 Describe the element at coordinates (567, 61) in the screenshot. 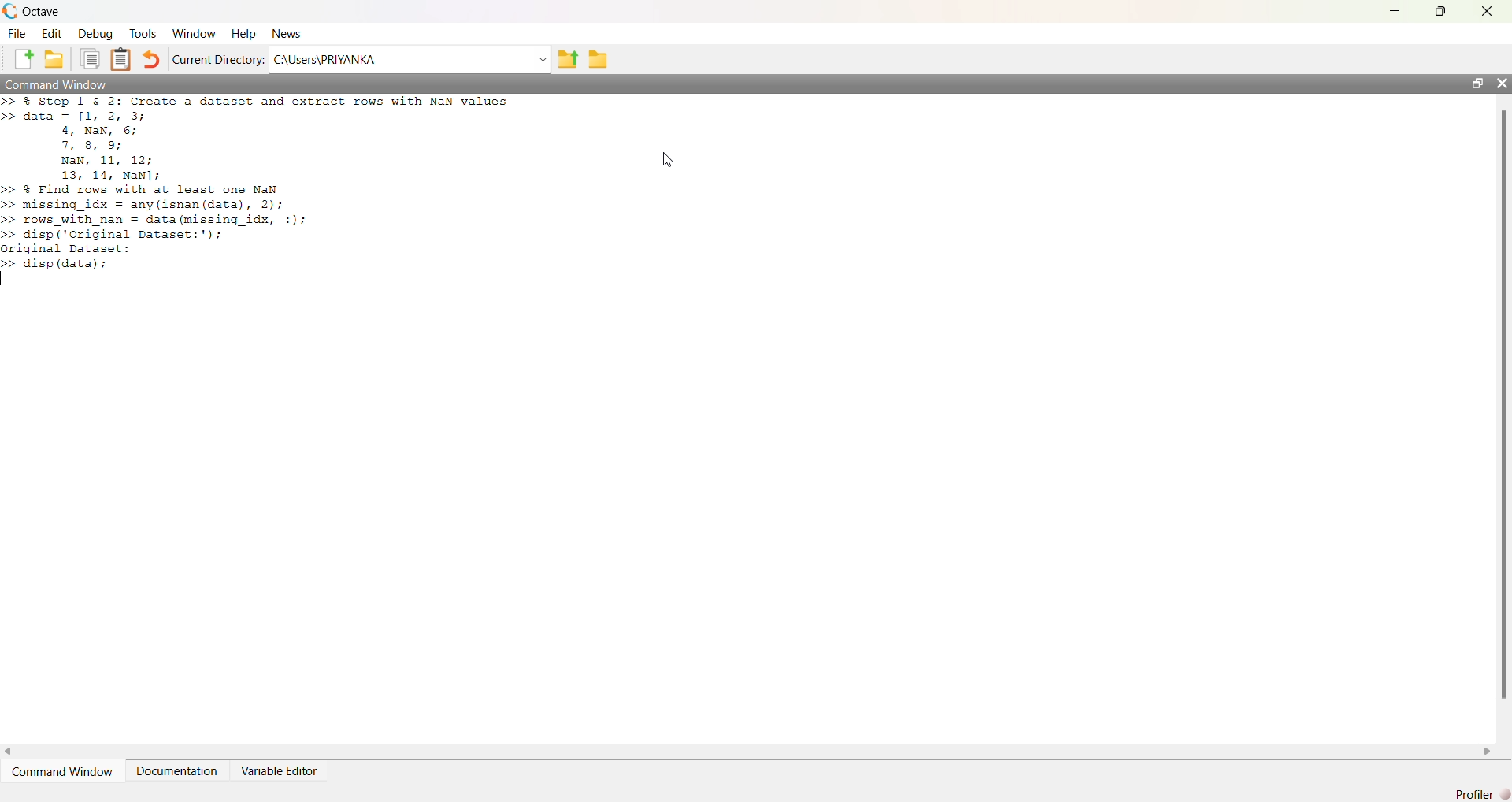

I see `previous folder` at that location.